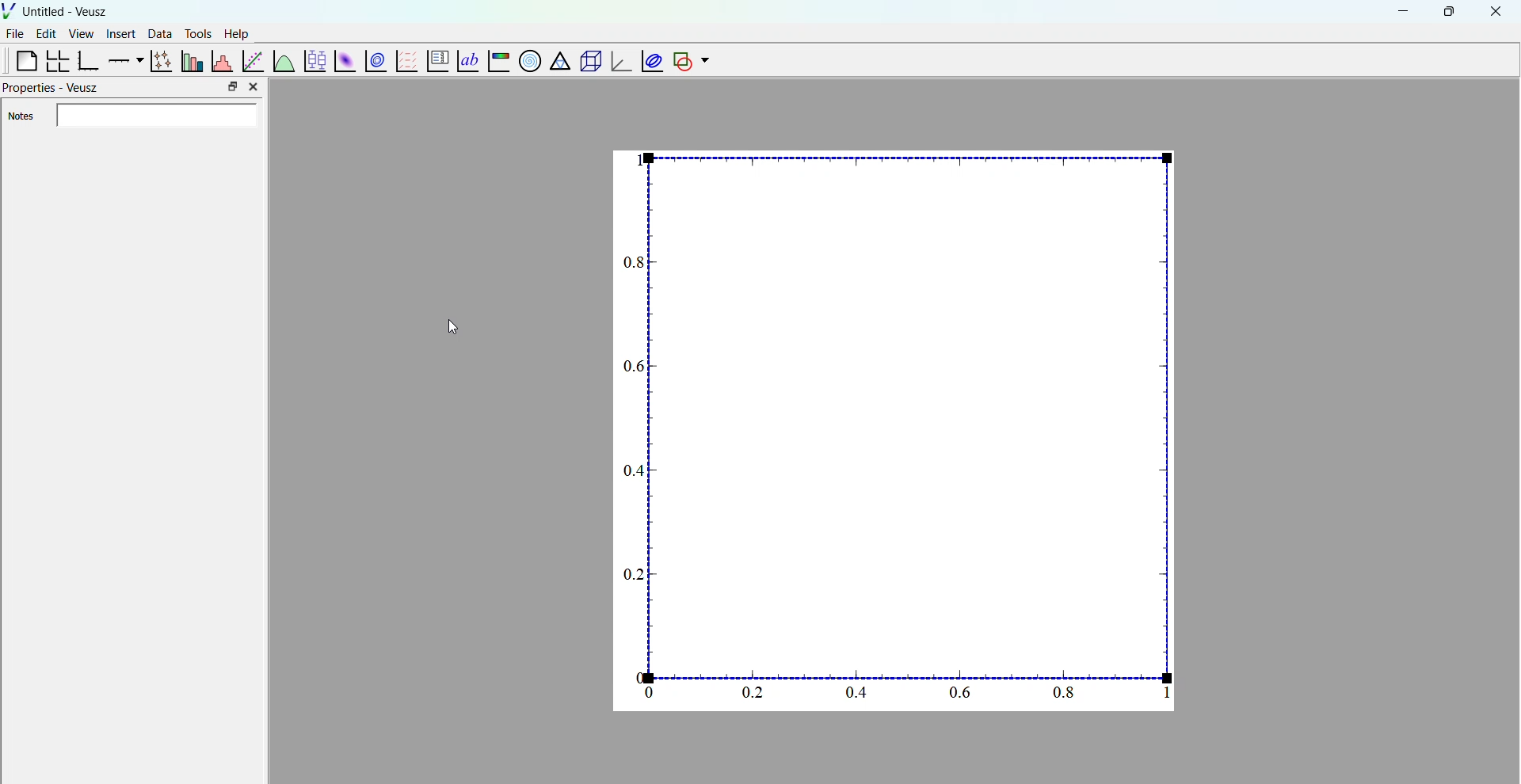  Describe the element at coordinates (705, 61) in the screenshot. I see `dropdown` at that location.